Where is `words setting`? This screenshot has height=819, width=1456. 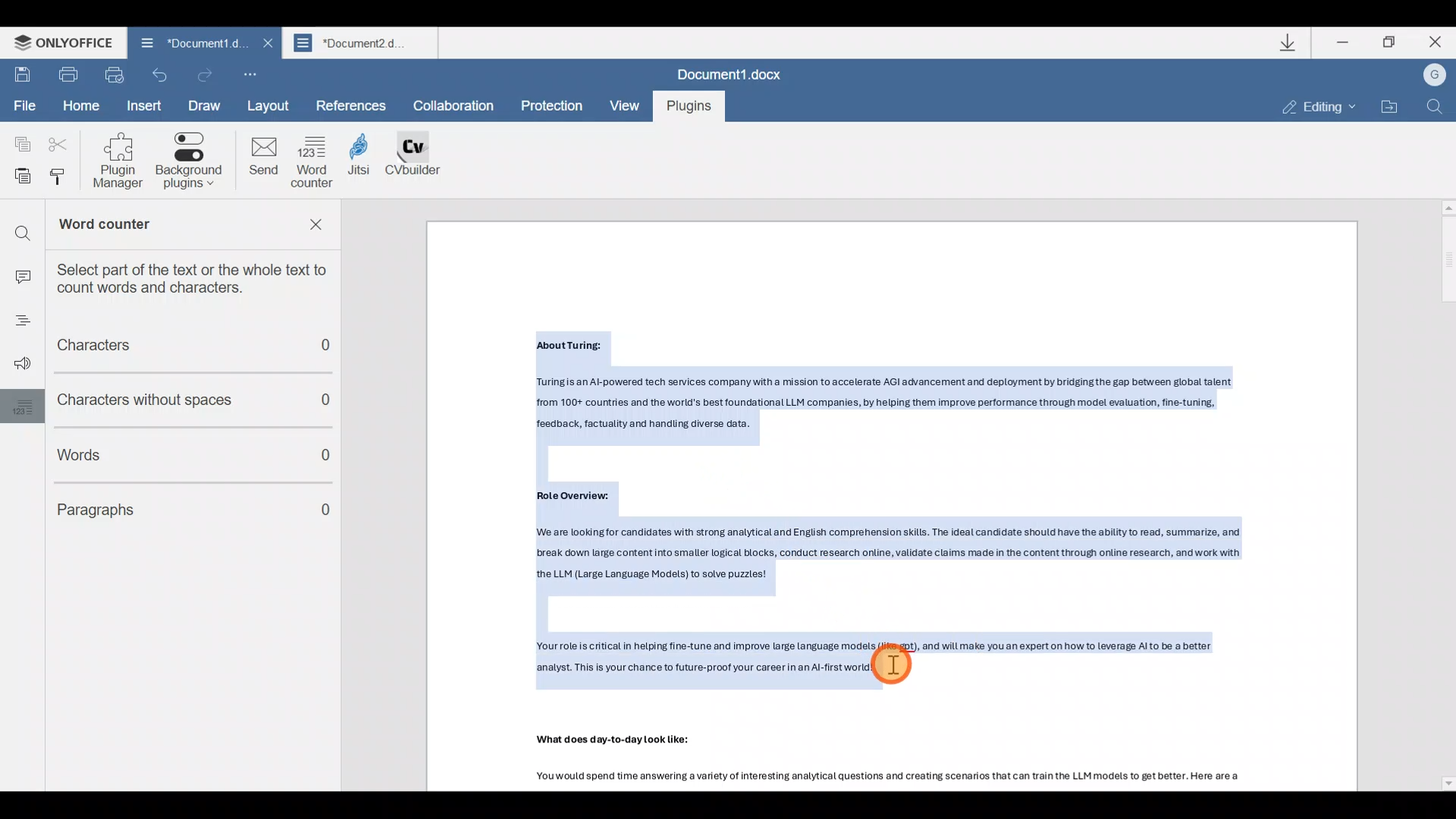
words setting is located at coordinates (19, 406).